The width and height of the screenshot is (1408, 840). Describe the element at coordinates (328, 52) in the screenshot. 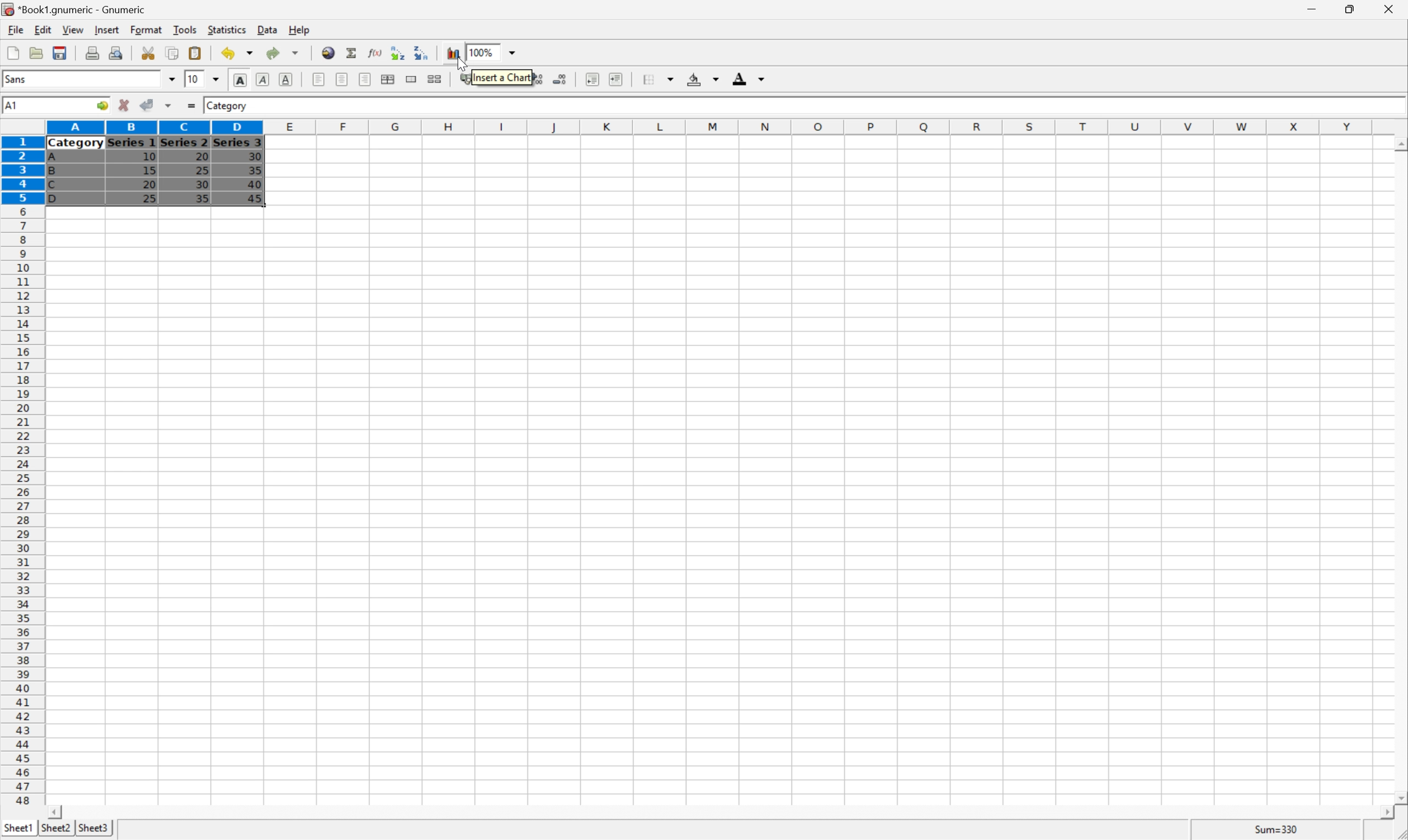

I see `Insert a hyperlink` at that location.